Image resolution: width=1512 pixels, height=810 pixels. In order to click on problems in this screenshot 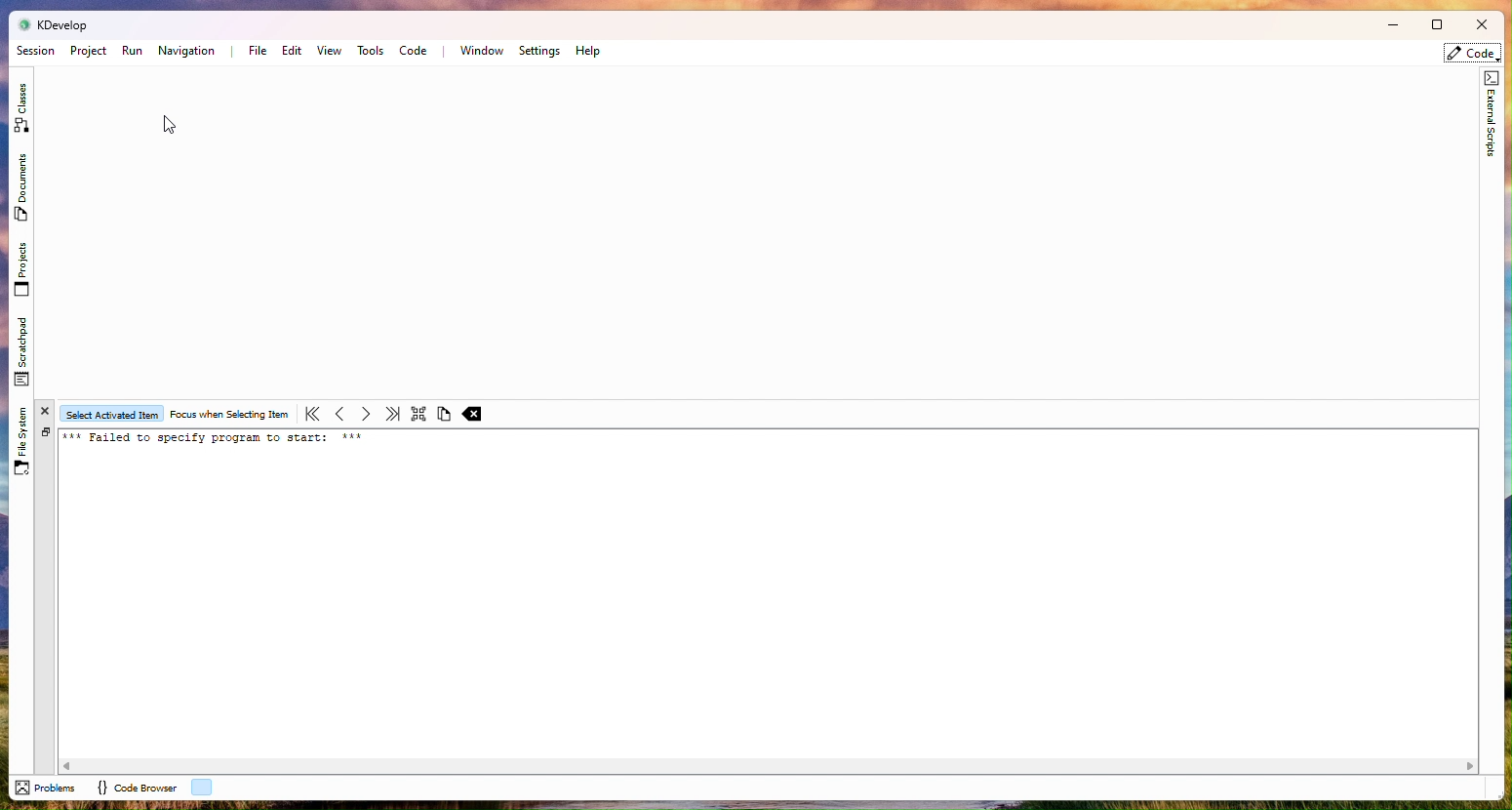, I will do `click(46, 788)`.